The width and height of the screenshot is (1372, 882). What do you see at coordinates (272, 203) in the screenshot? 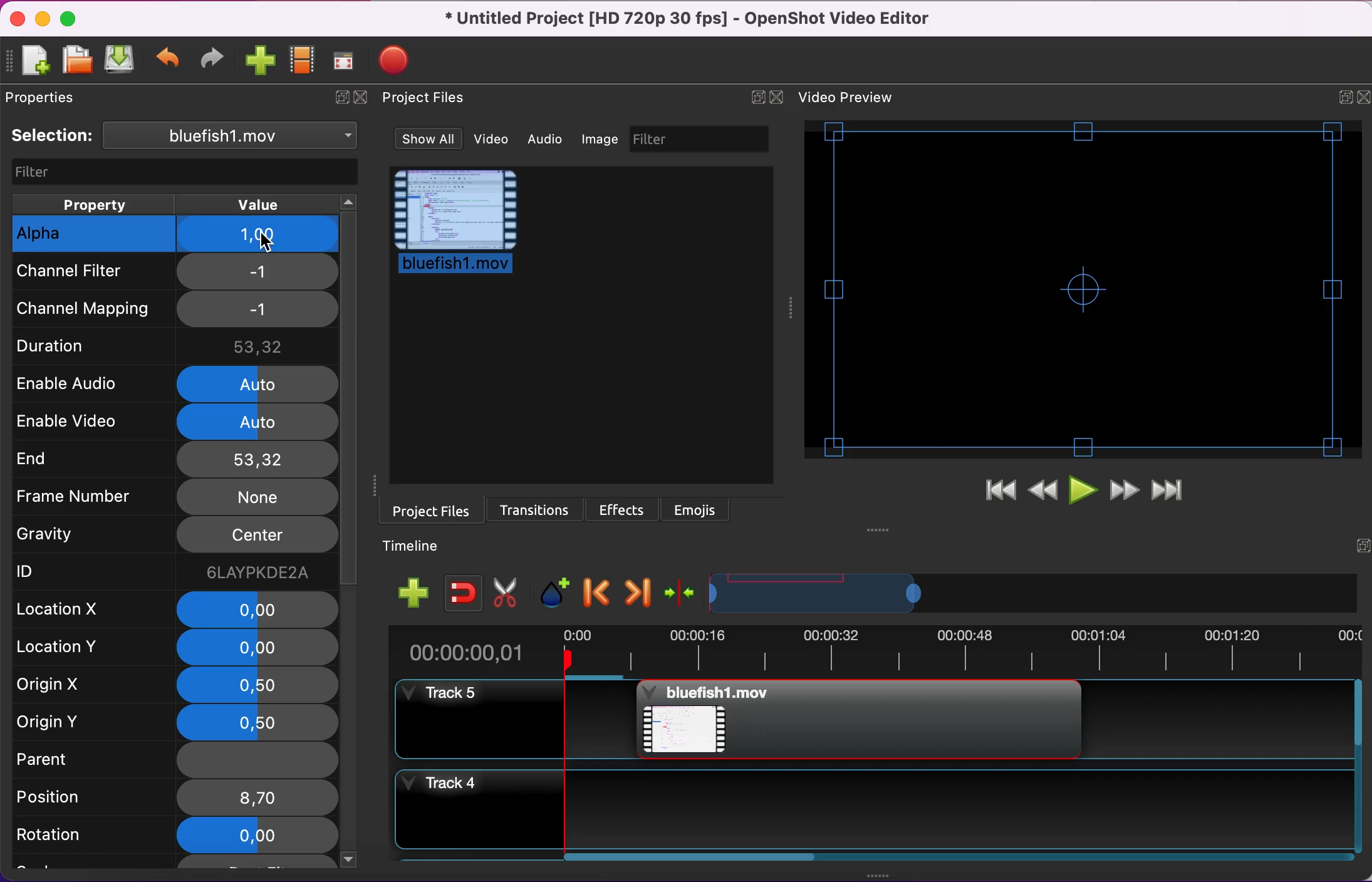
I see `value` at bounding box center [272, 203].